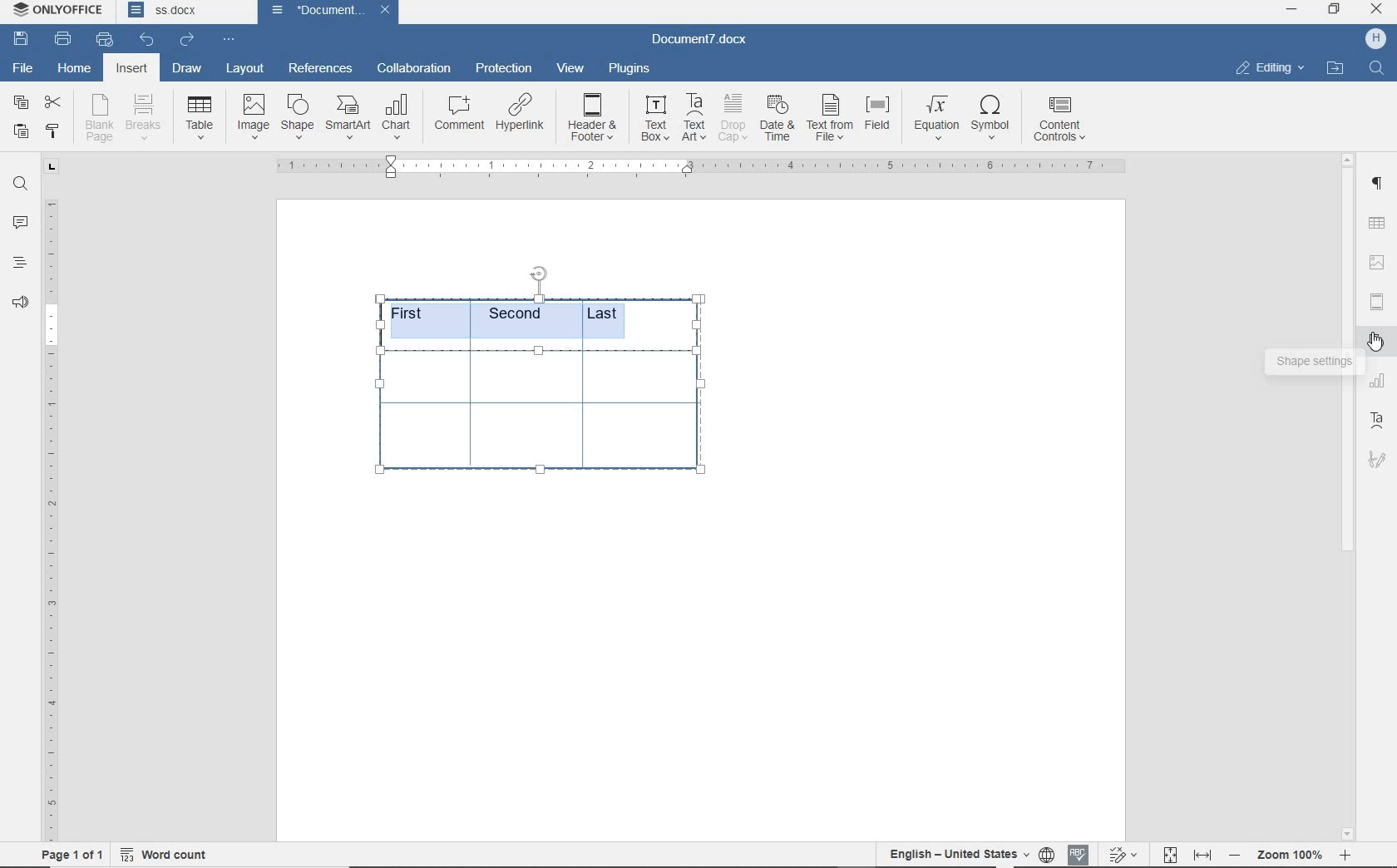  Describe the element at coordinates (521, 318) in the screenshot. I see `highlighted` at that location.